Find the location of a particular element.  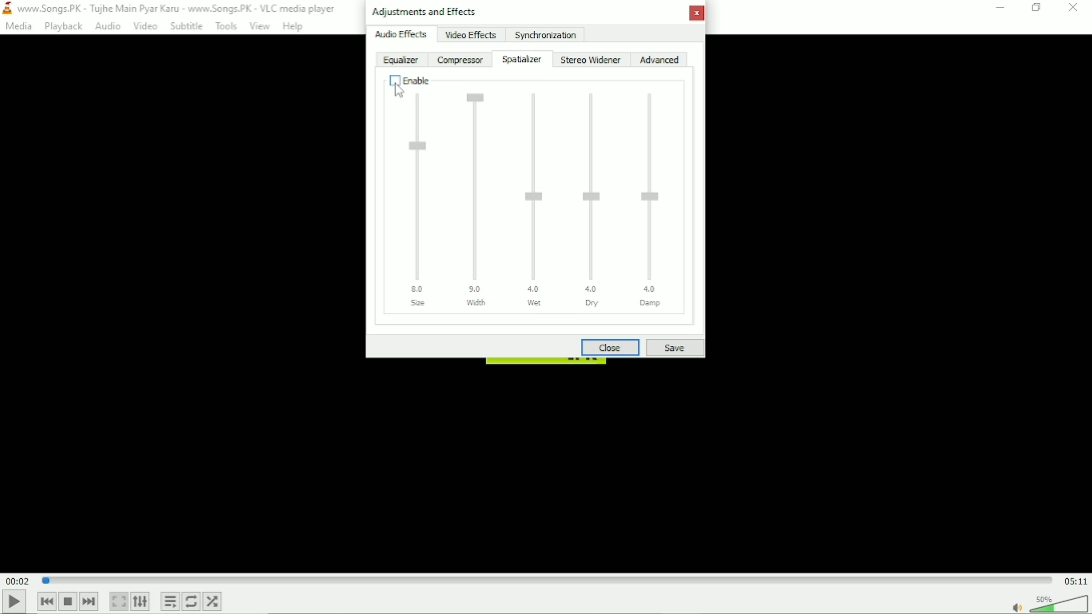

Play is located at coordinates (14, 602).